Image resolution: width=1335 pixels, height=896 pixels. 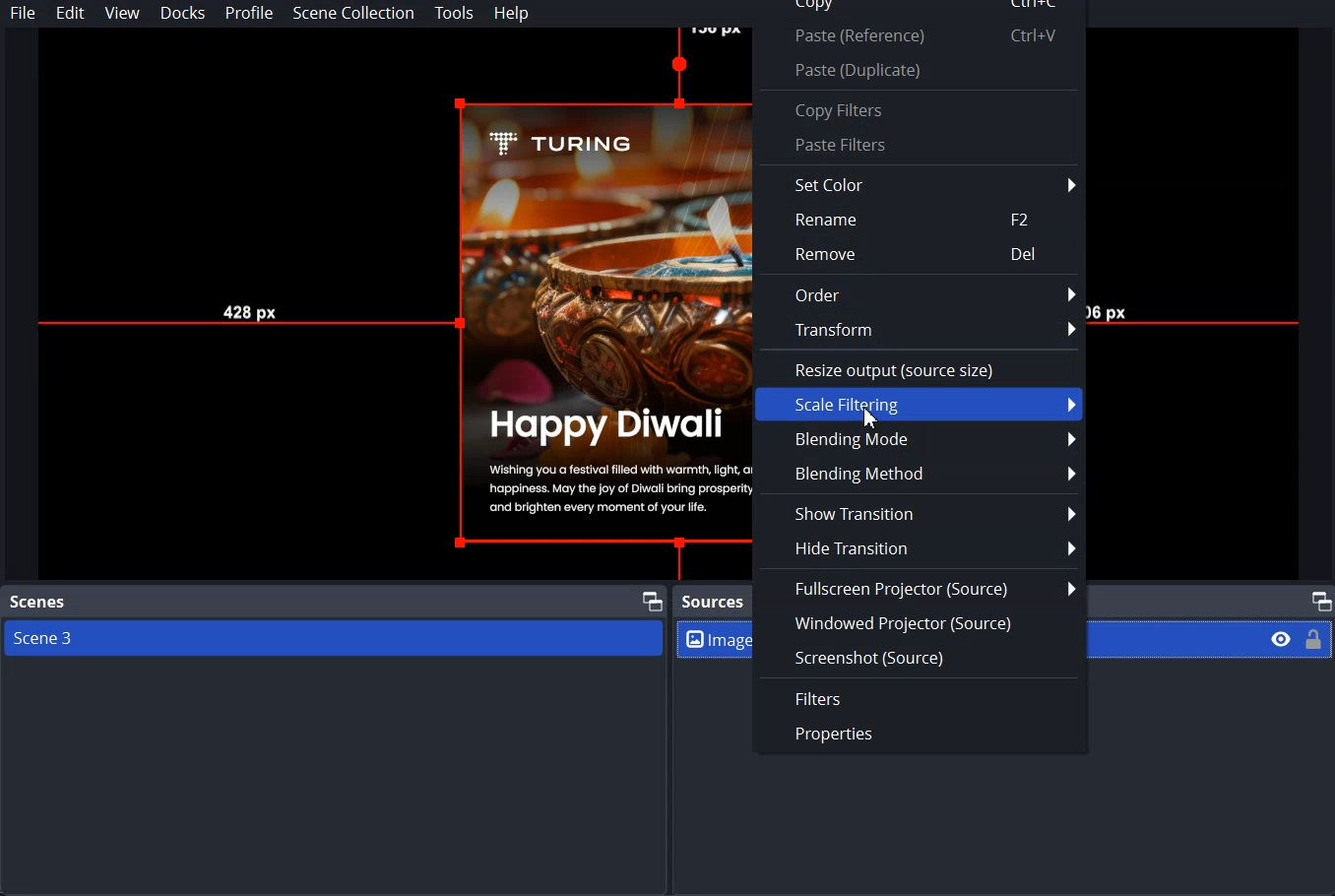 What do you see at coordinates (919, 513) in the screenshot?
I see `Show transition` at bounding box center [919, 513].